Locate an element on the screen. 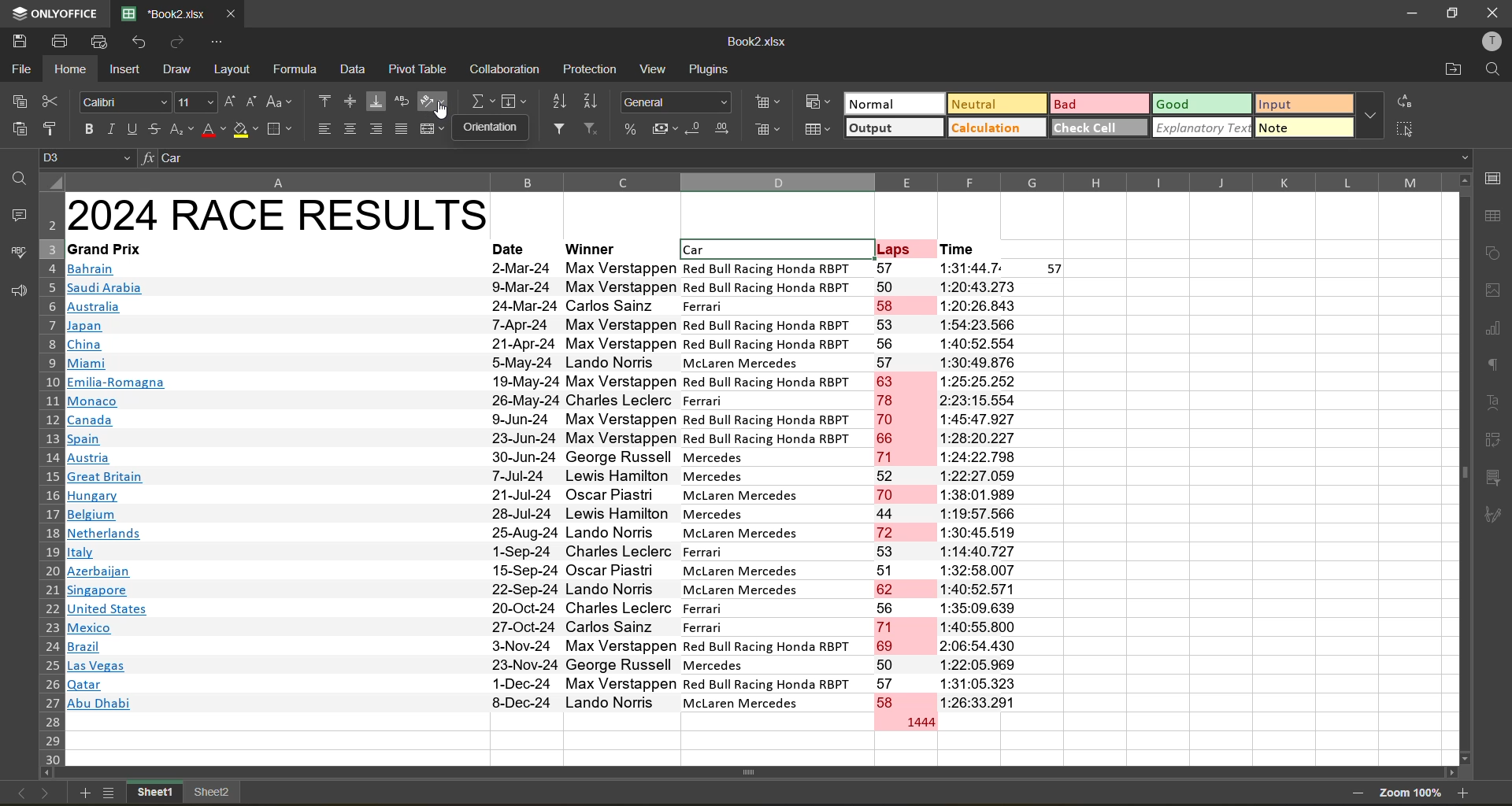 This screenshot has height=806, width=1512. file name is located at coordinates (757, 41).